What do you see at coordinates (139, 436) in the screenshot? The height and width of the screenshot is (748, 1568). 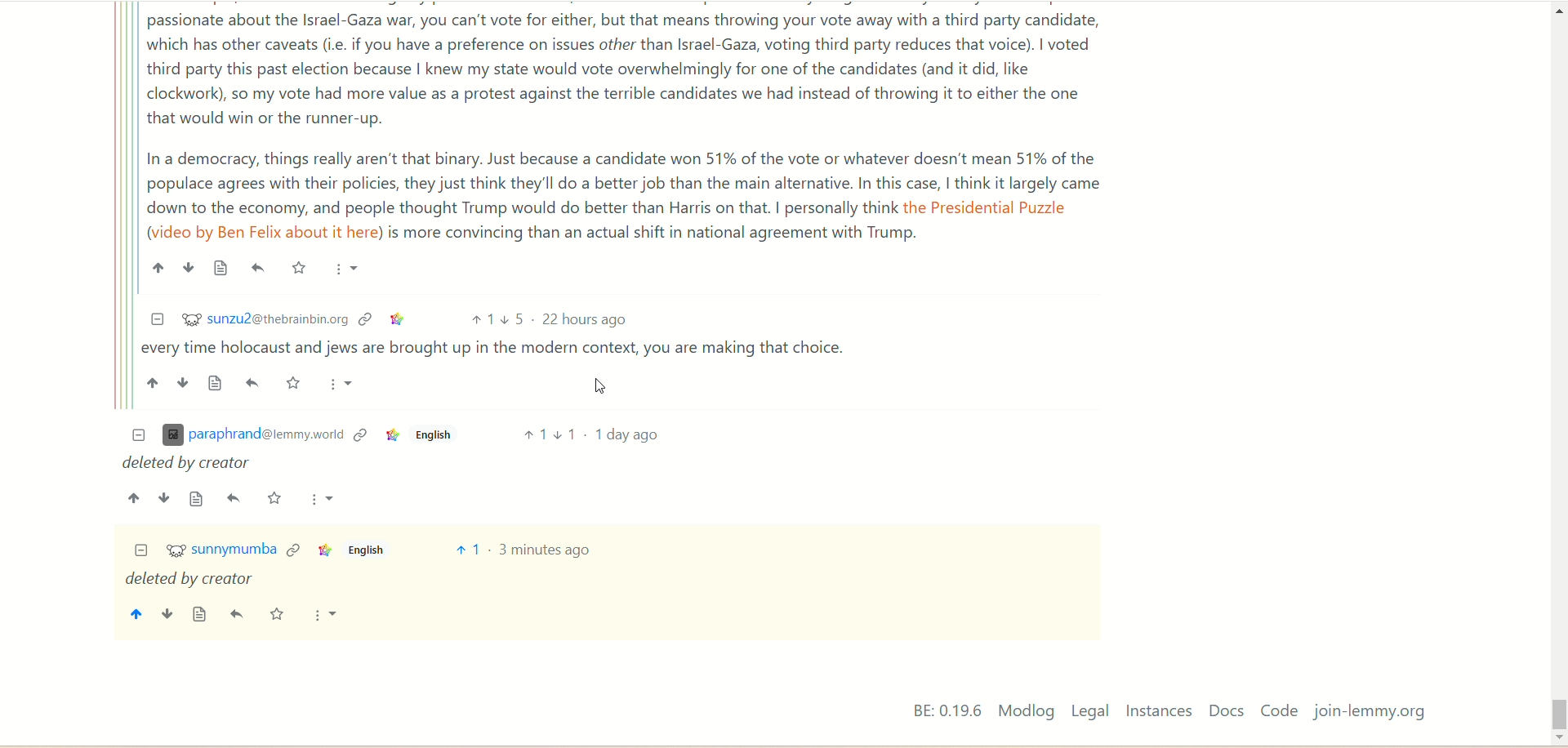 I see `Collapse` at bounding box center [139, 436].